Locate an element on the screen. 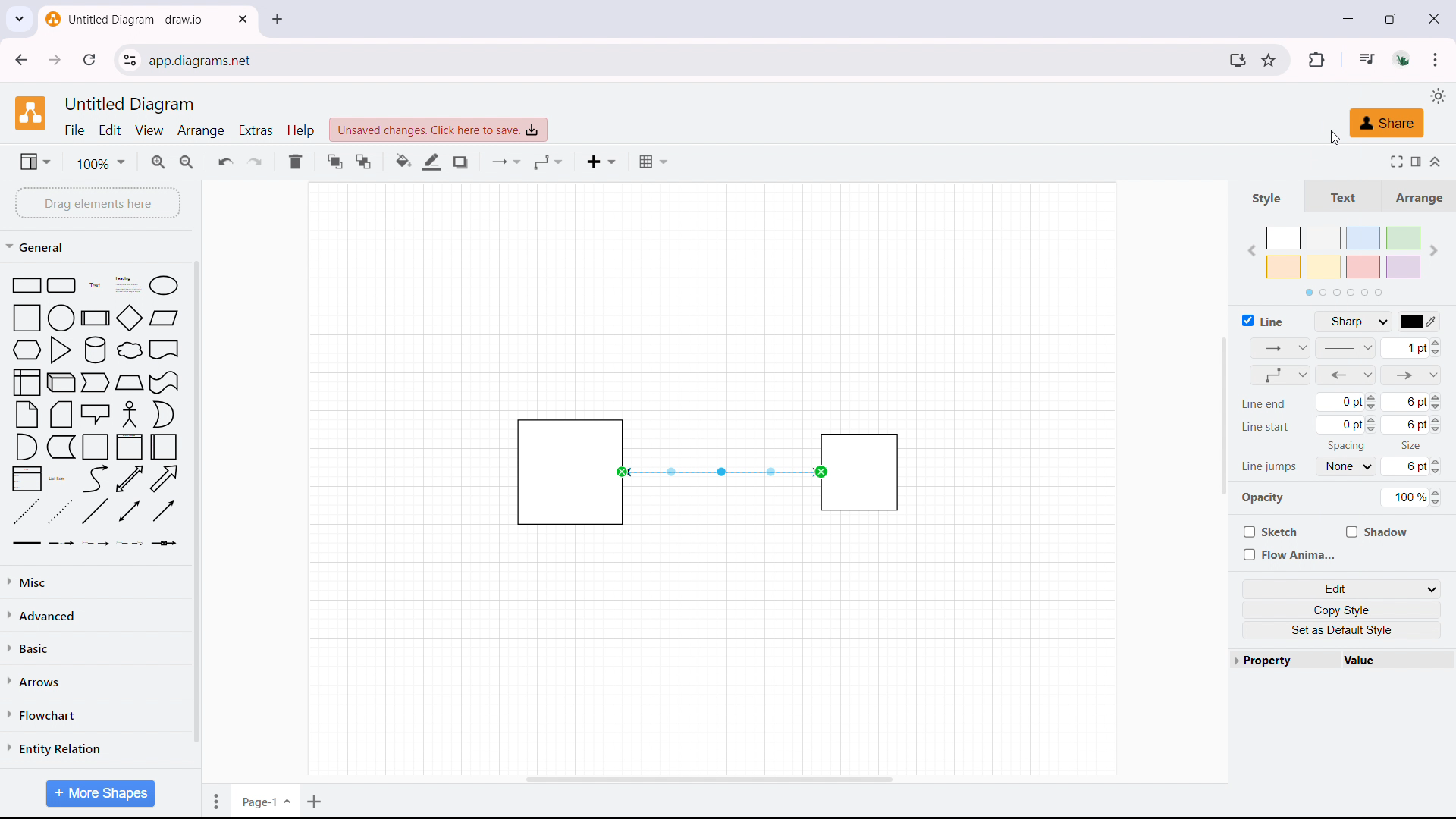 This screenshot has width=1456, height=819. click to go forward, hold to see history is located at coordinates (55, 60).